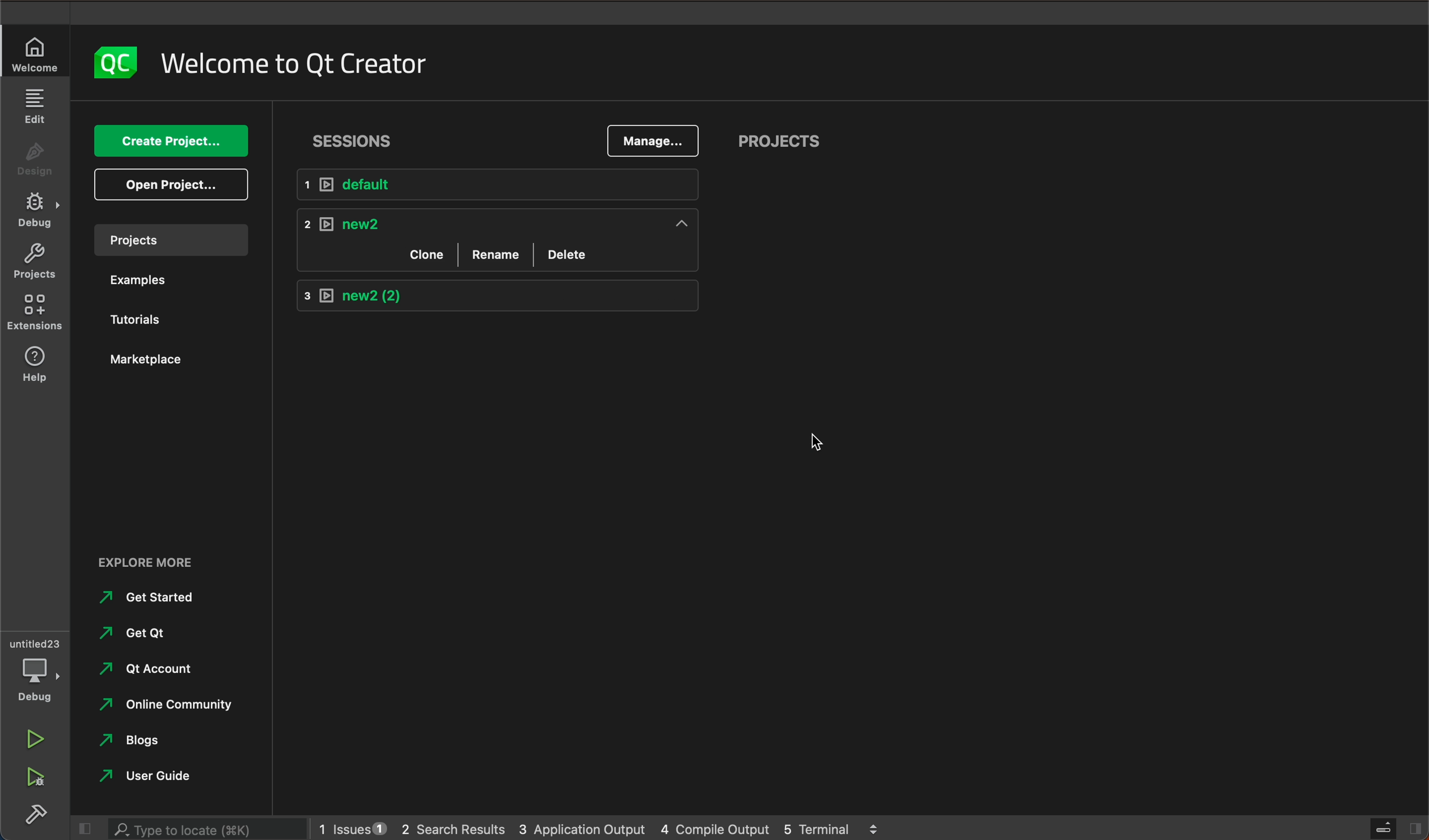 This screenshot has width=1429, height=840. Describe the element at coordinates (153, 669) in the screenshot. I see `qt account` at that location.